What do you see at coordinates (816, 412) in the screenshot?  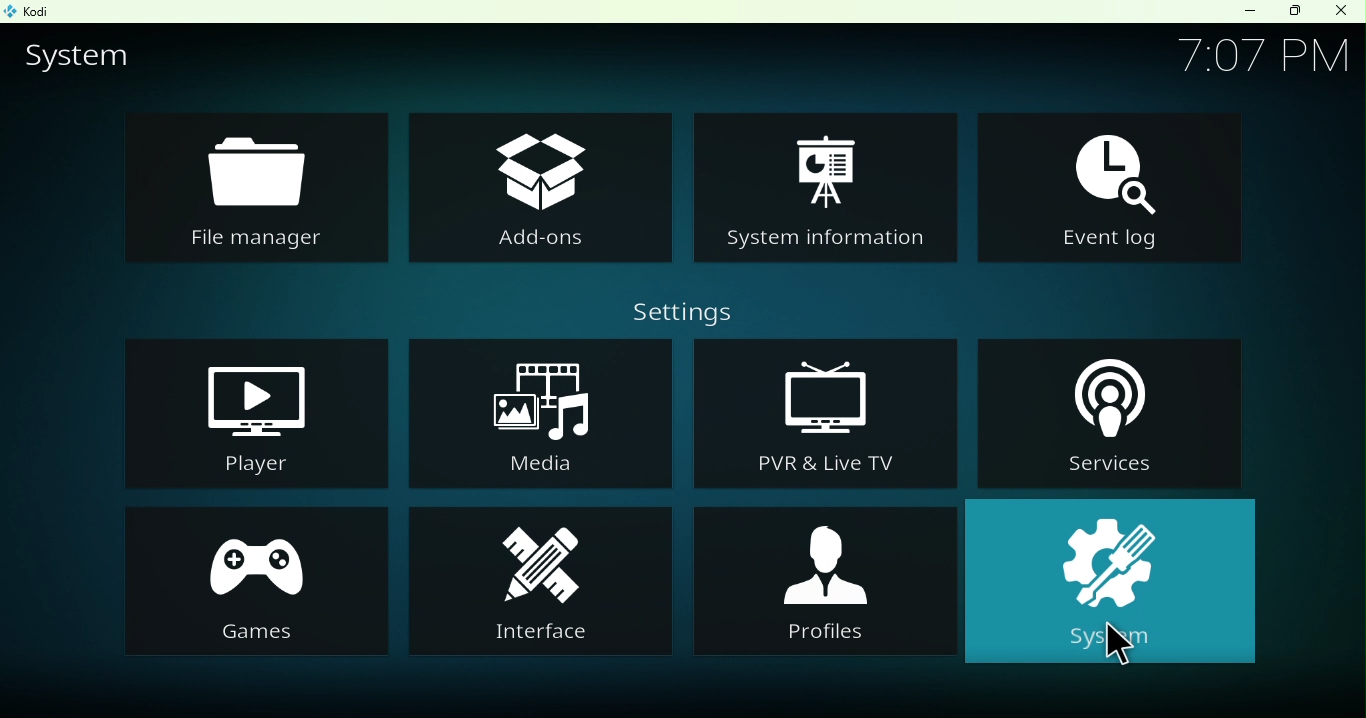 I see `PVR & Live TV` at bounding box center [816, 412].